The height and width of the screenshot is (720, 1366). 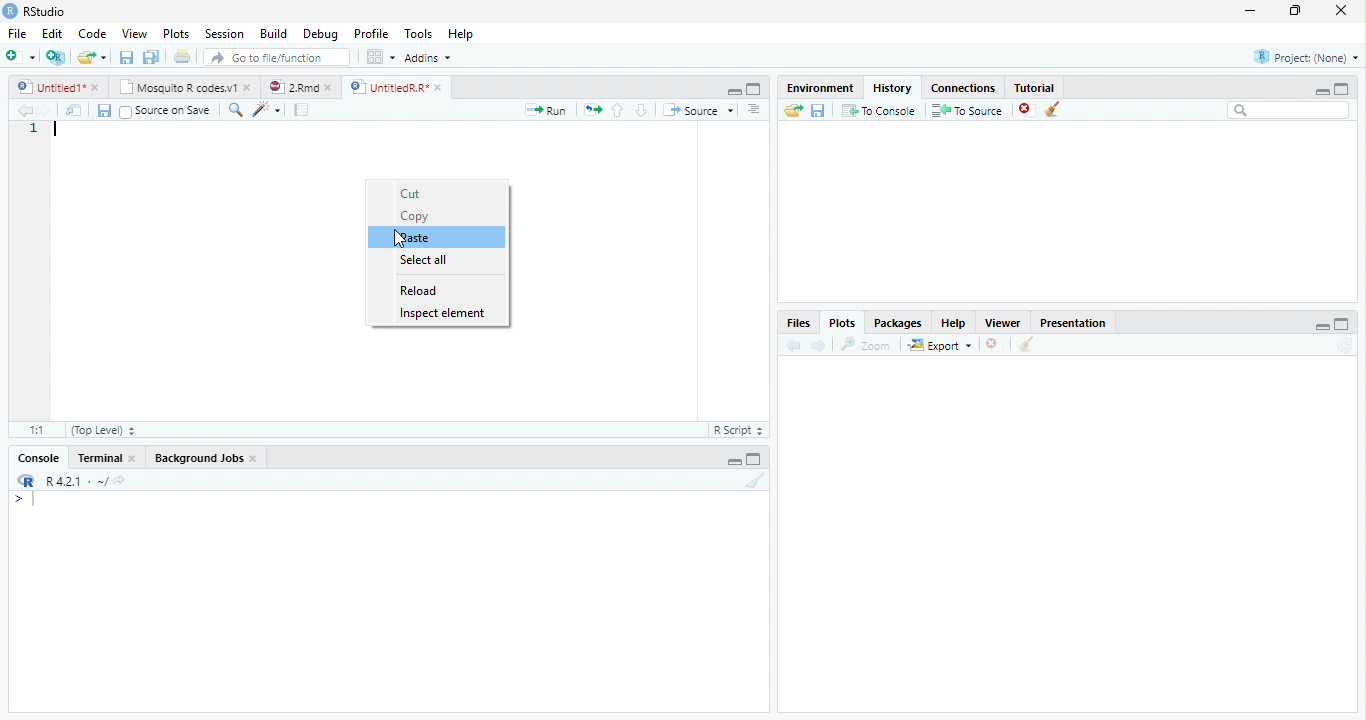 What do you see at coordinates (1323, 326) in the screenshot?
I see `minimize` at bounding box center [1323, 326].